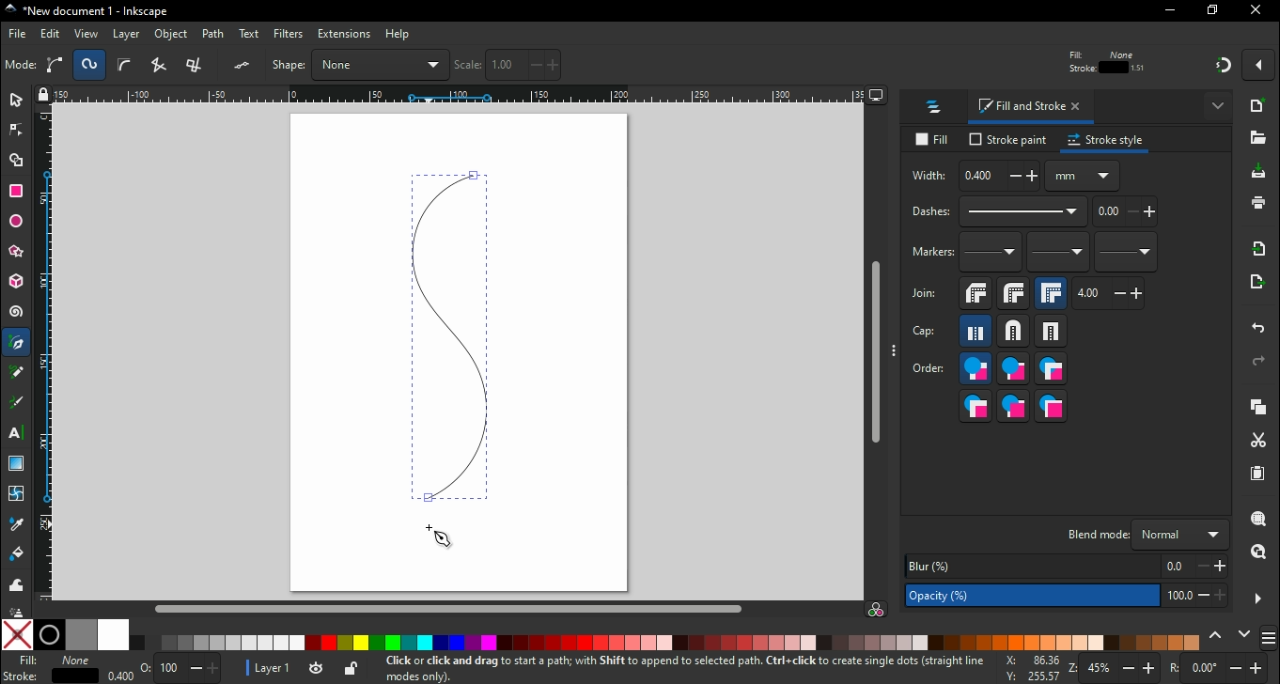 The image size is (1280, 684). Describe the element at coordinates (1106, 61) in the screenshot. I see `stroke and fill details` at that location.